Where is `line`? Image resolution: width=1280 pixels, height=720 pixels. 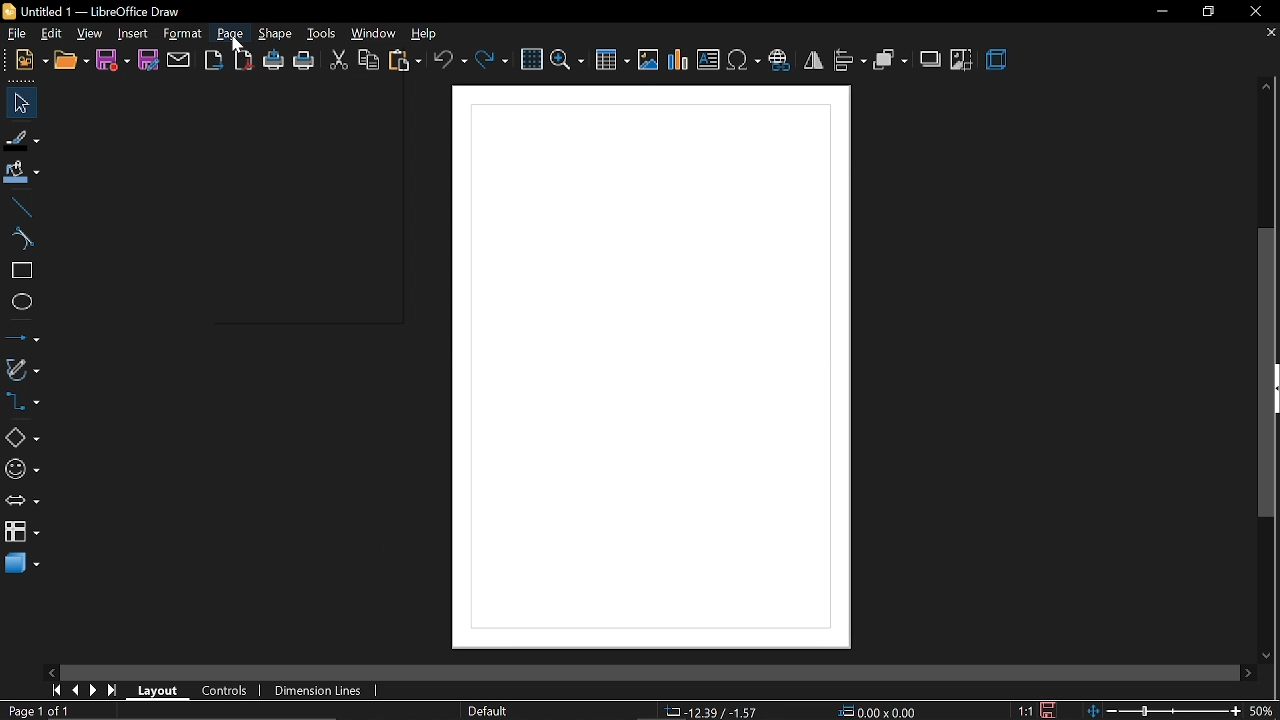 line is located at coordinates (21, 208).